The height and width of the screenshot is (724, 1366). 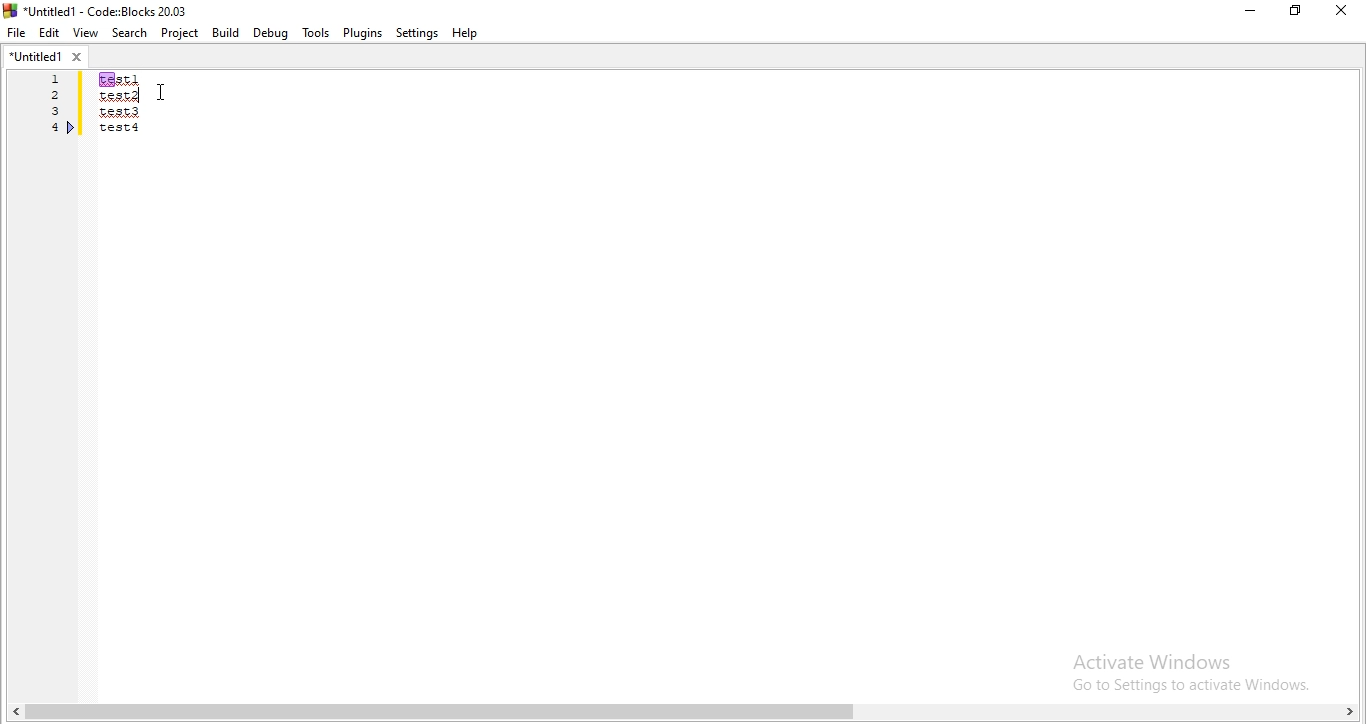 I want to click on Tools , so click(x=315, y=33).